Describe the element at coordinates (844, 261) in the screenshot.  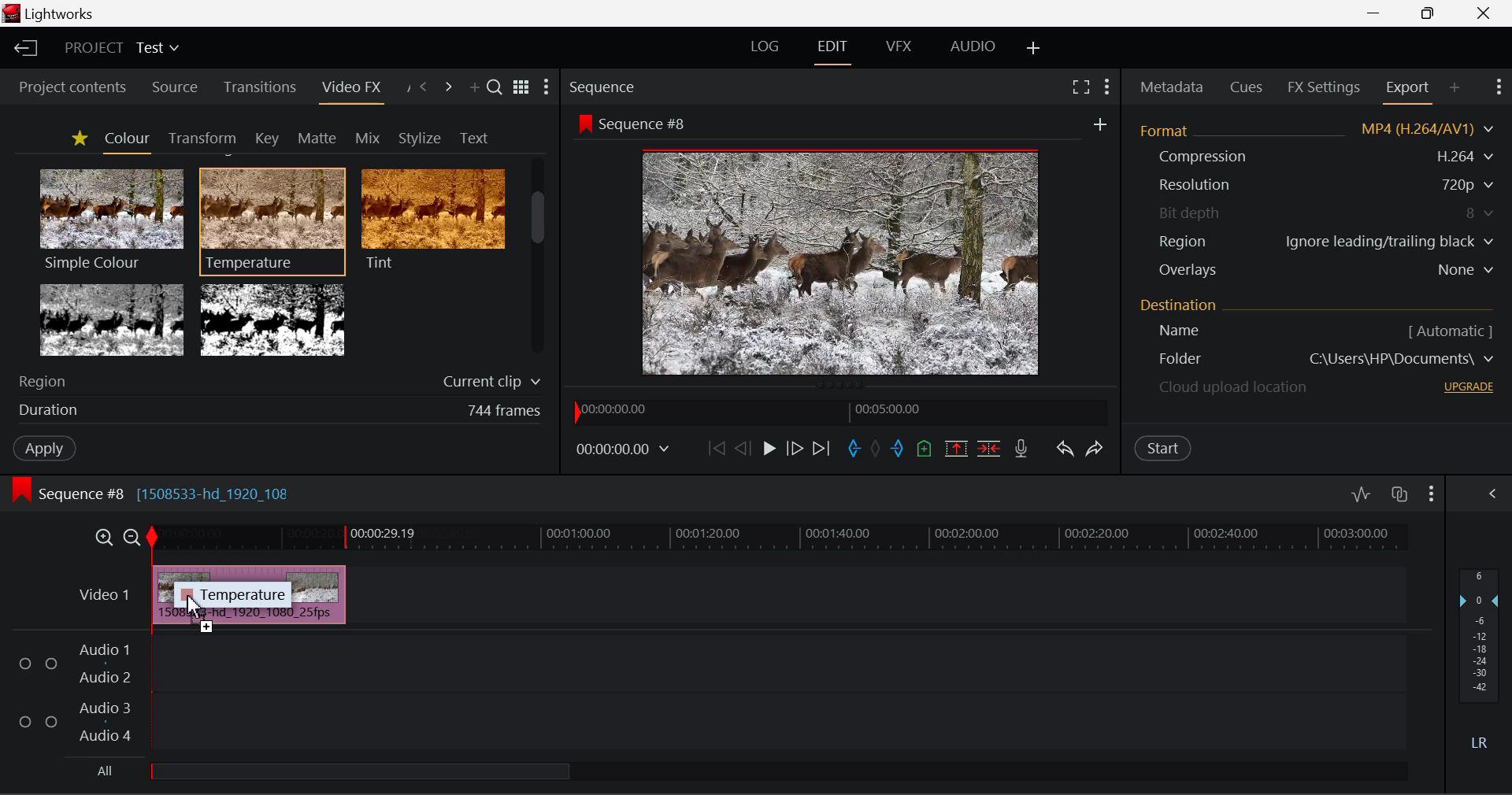
I see `Sequence Preview Screen` at that location.